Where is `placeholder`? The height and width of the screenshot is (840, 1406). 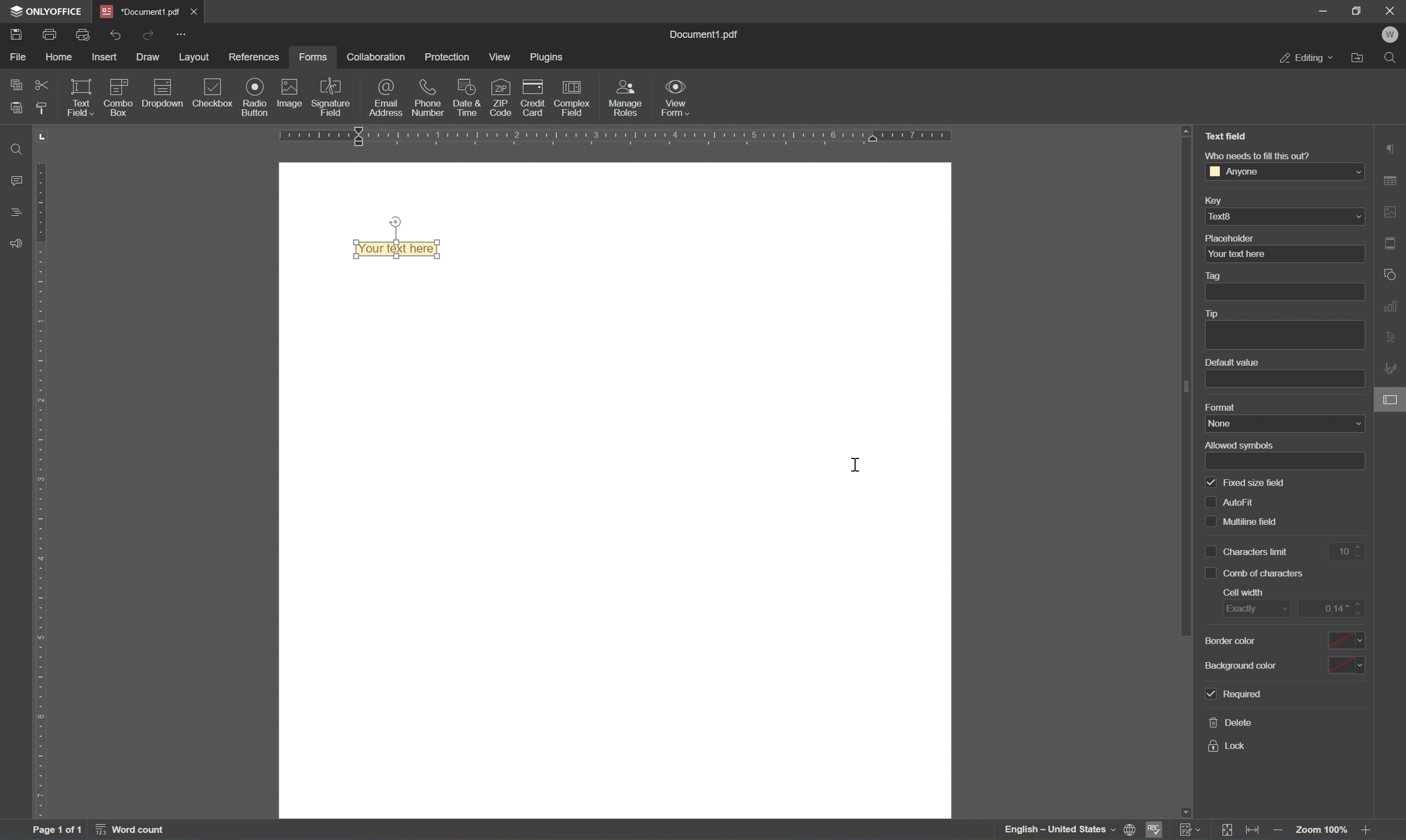 placeholder is located at coordinates (1233, 238).